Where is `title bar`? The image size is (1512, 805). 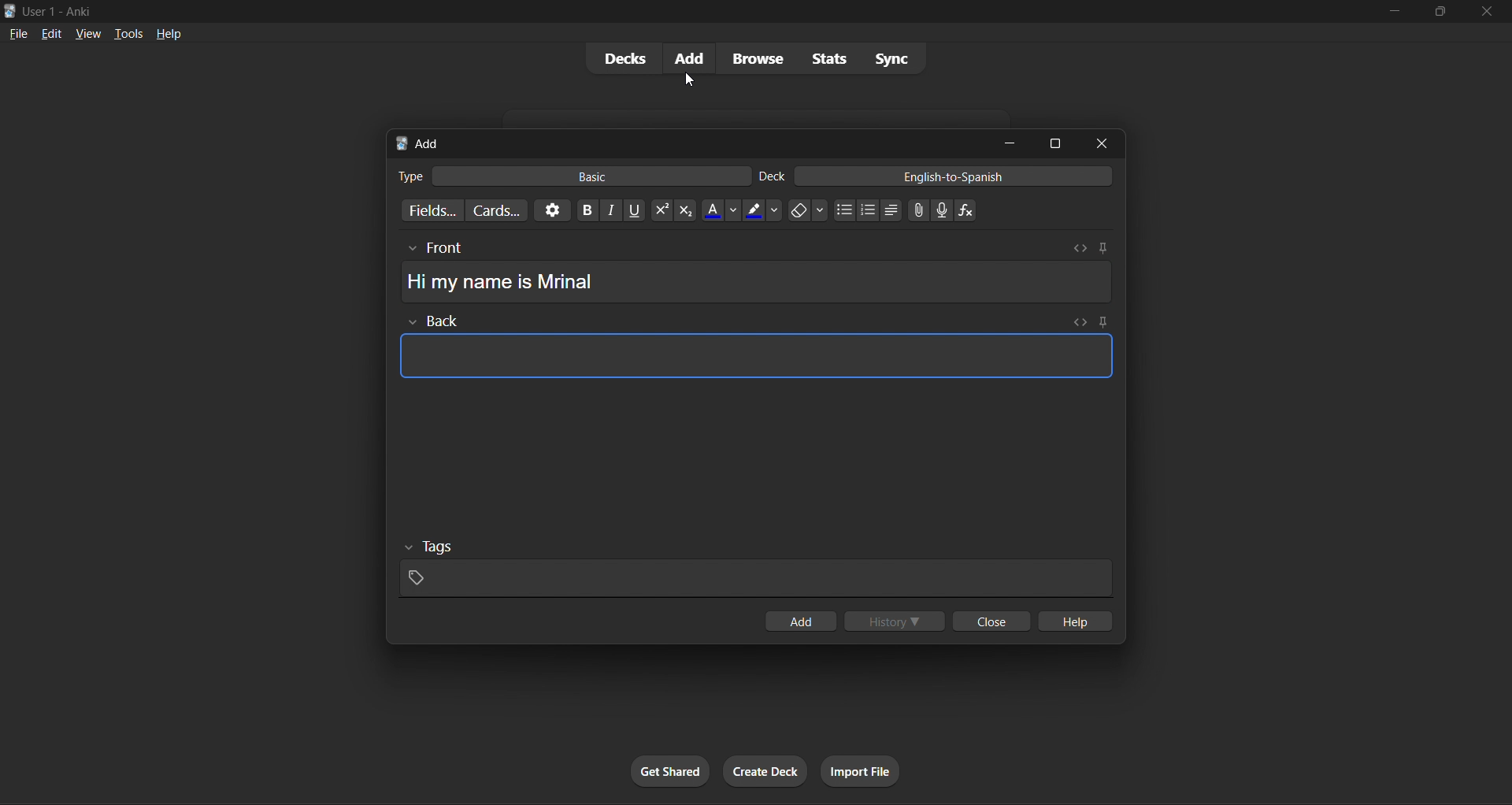 title bar is located at coordinates (663, 9).